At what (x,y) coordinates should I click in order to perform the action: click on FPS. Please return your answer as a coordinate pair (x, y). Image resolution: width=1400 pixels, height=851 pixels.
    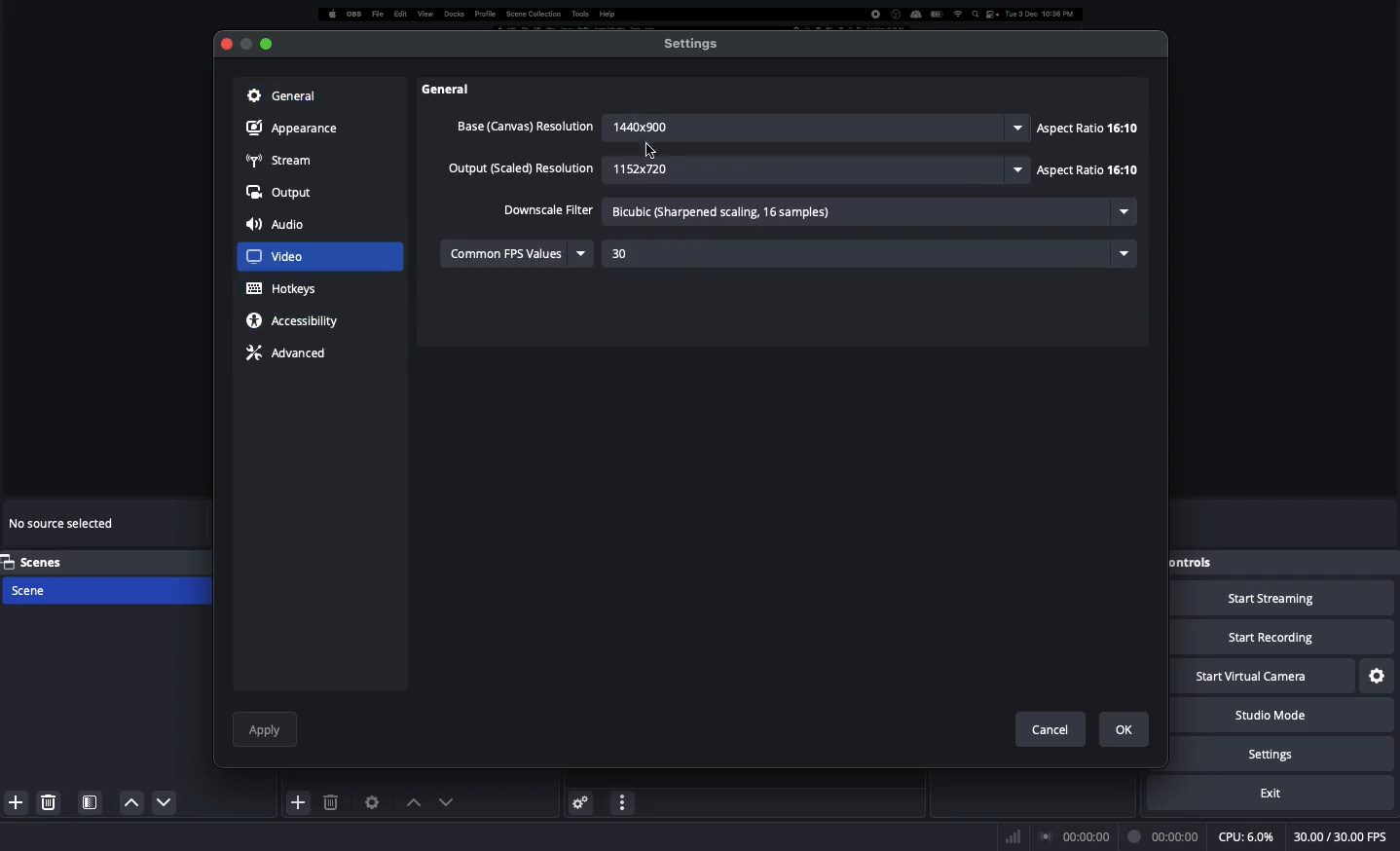
    Looking at the image, I should click on (1344, 837).